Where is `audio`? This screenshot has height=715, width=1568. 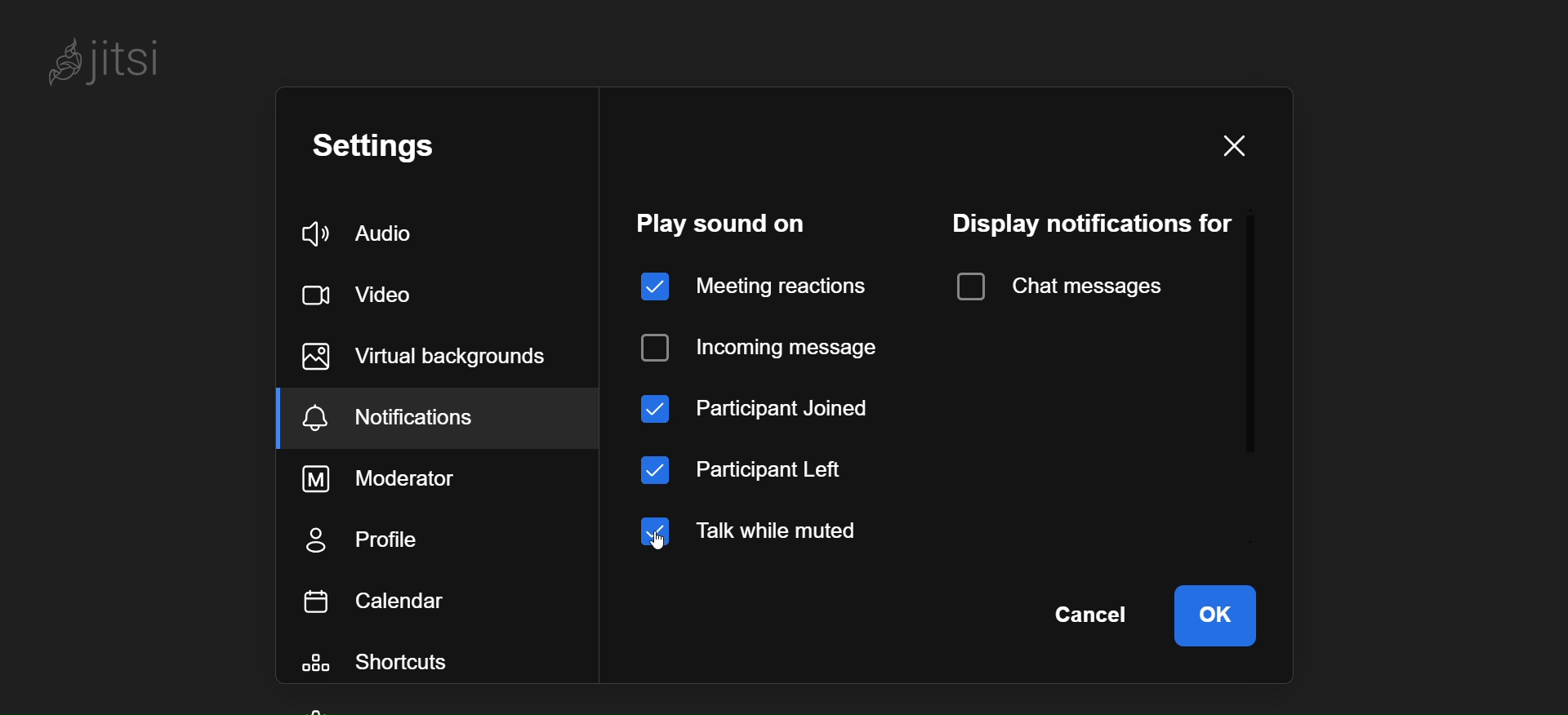
audio is located at coordinates (363, 230).